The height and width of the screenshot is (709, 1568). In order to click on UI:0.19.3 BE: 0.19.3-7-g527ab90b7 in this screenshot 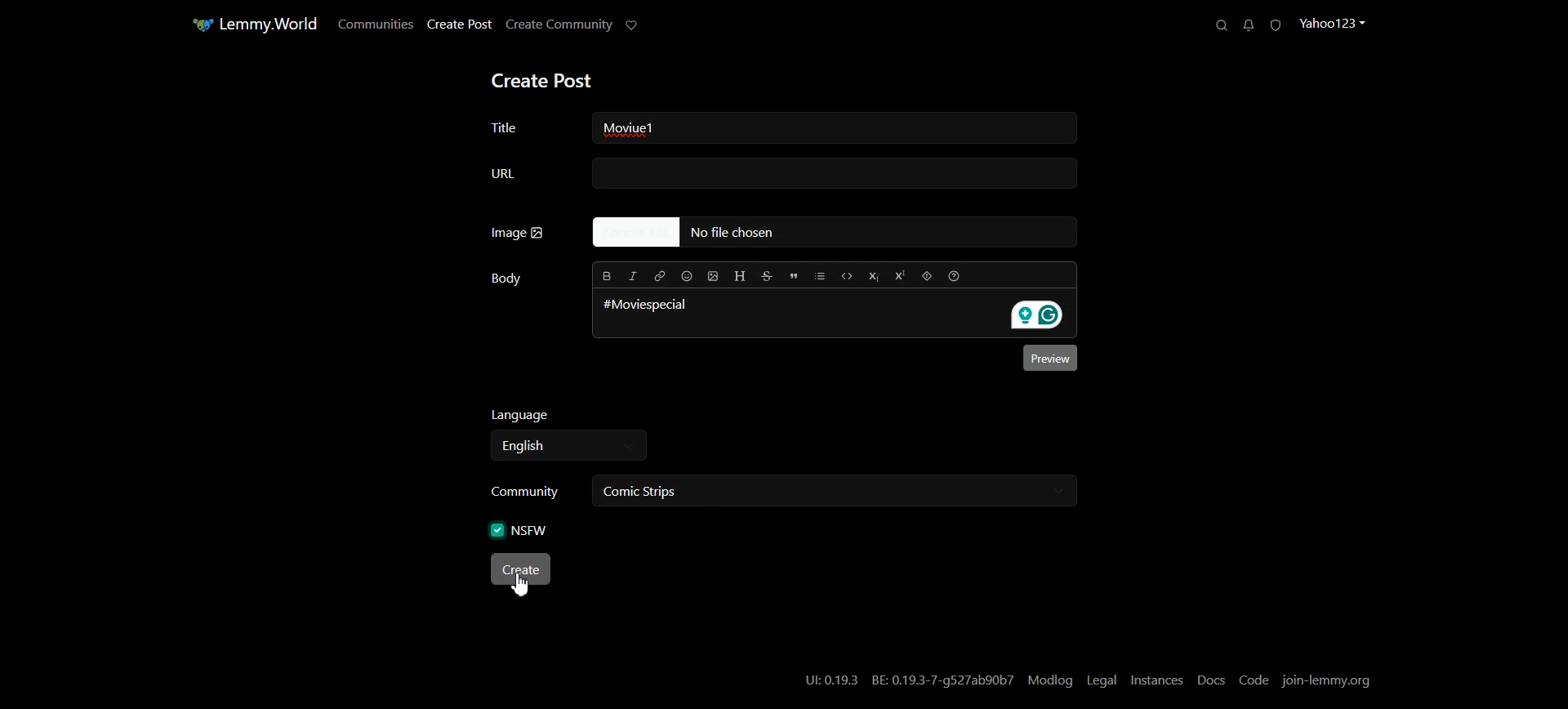, I will do `click(907, 680)`.